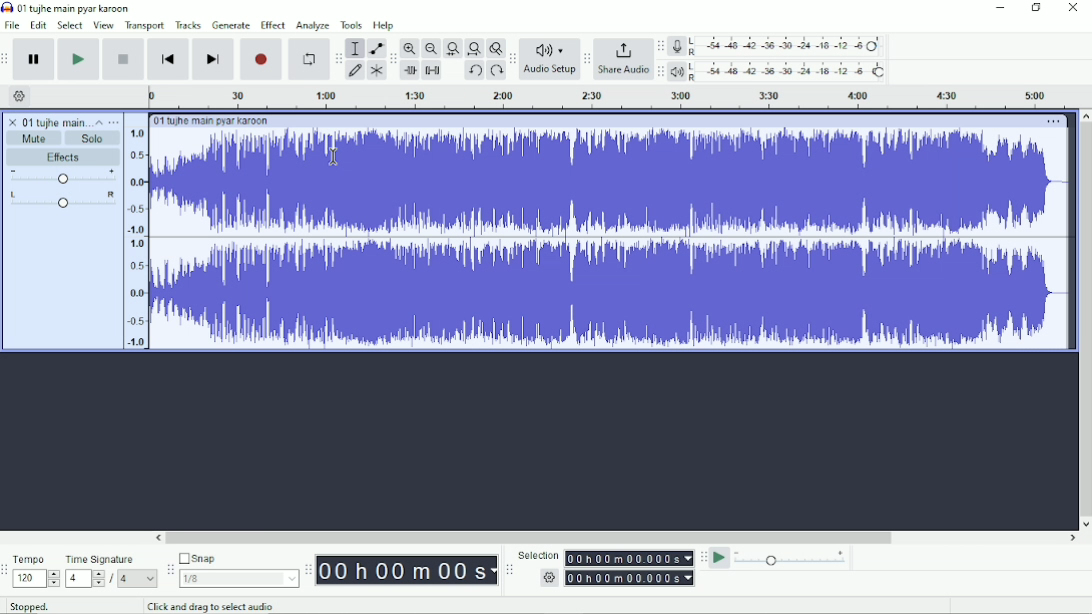 The width and height of the screenshot is (1092, 614). I want to click on Audacity selection toolbar, so click(509, 570).